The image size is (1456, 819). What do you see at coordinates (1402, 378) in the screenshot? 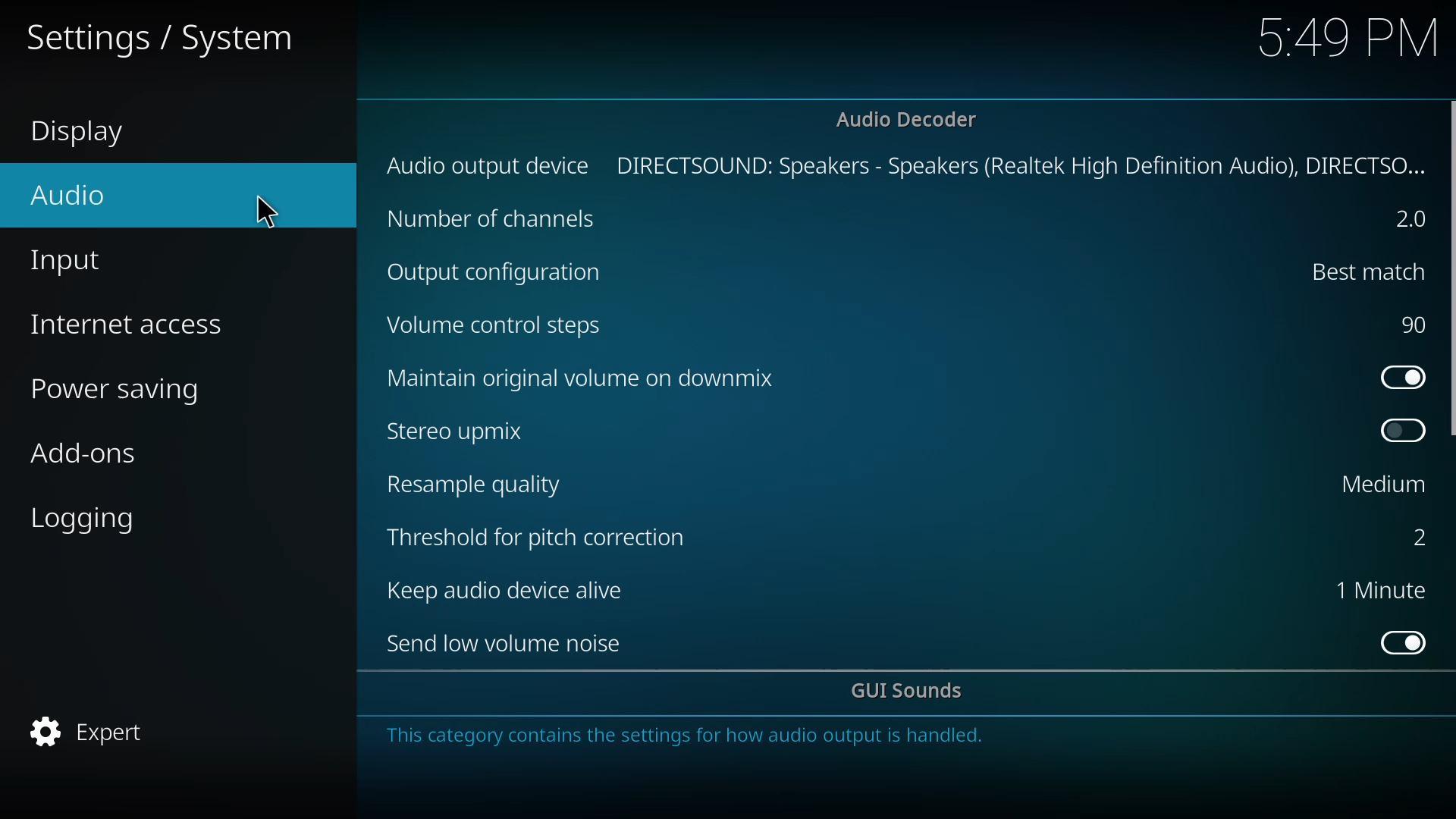
I see `enabled` at bounding box center [1402, 378].